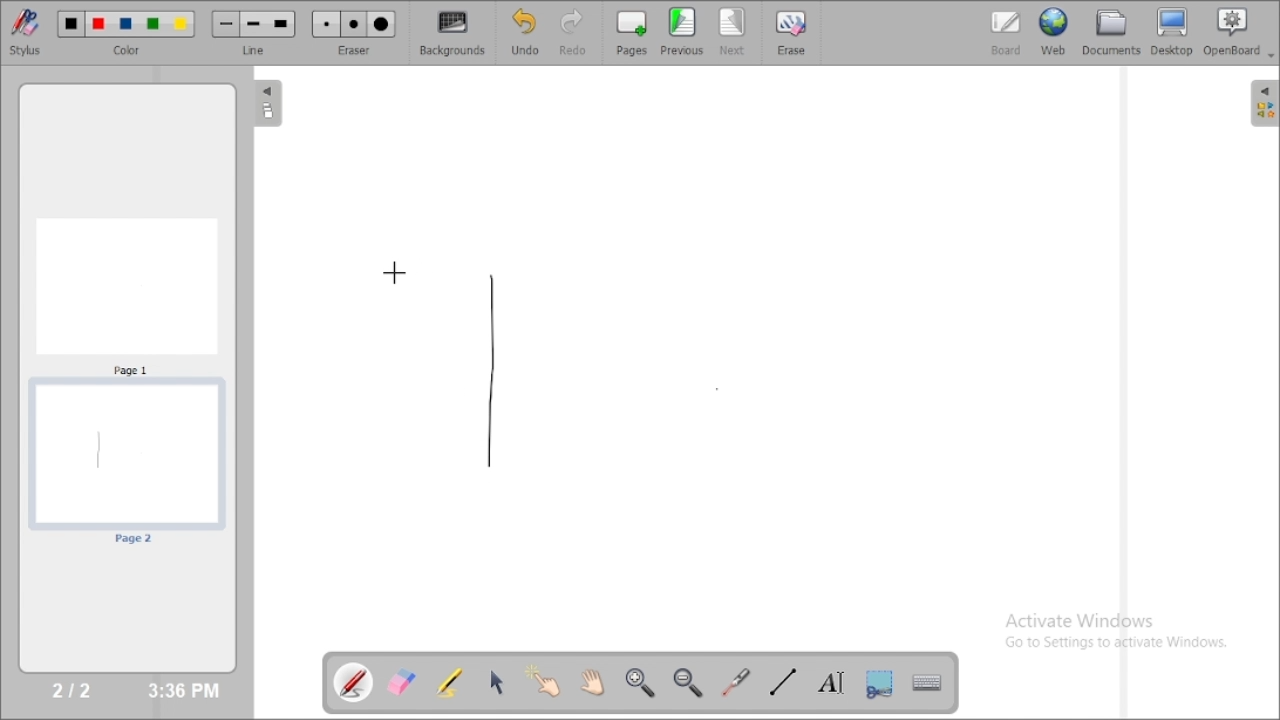  I want to click on write text, so click(831, 683).